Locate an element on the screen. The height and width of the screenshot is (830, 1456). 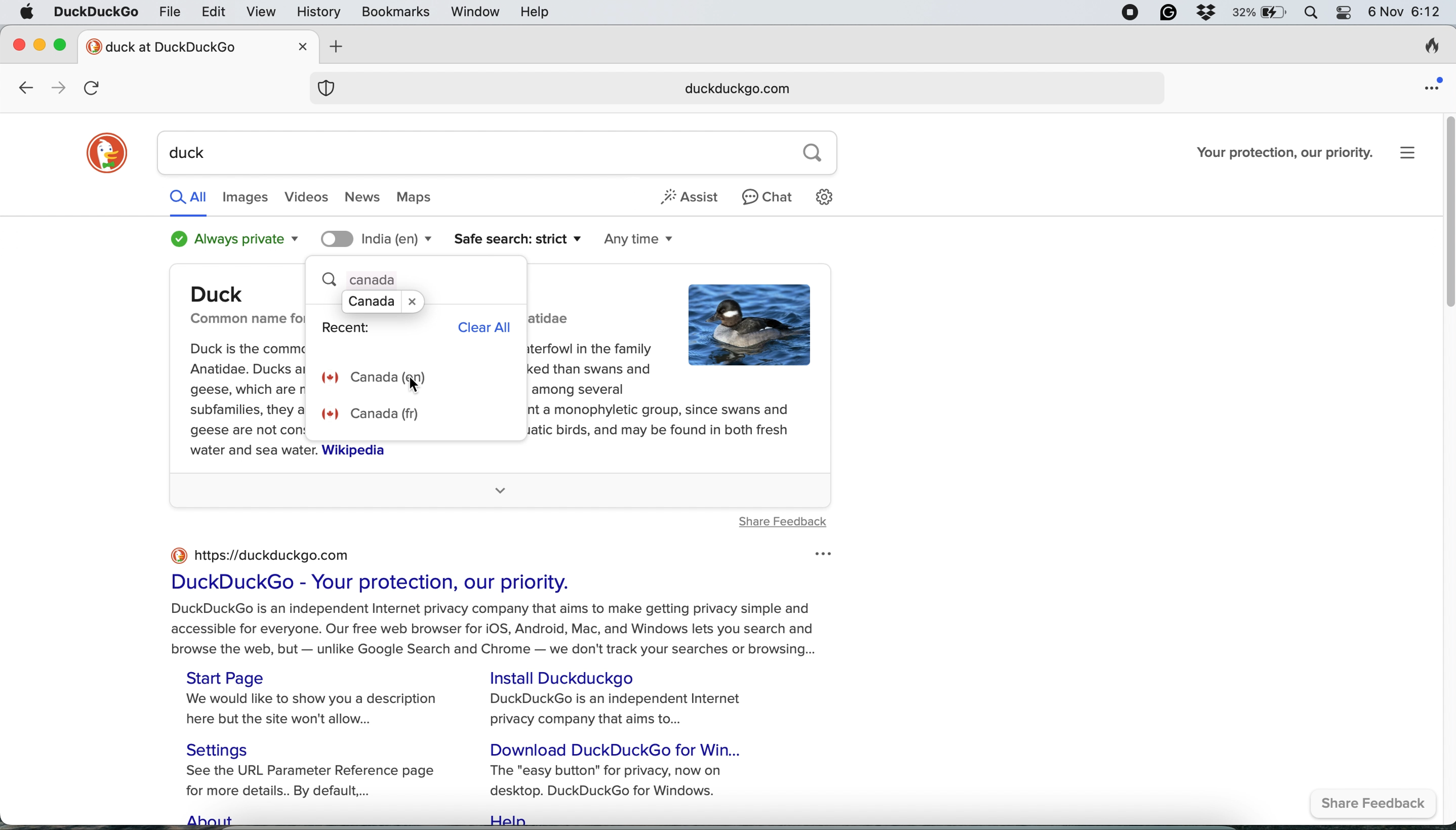
open application menu is located at coordinates (1434, 83).